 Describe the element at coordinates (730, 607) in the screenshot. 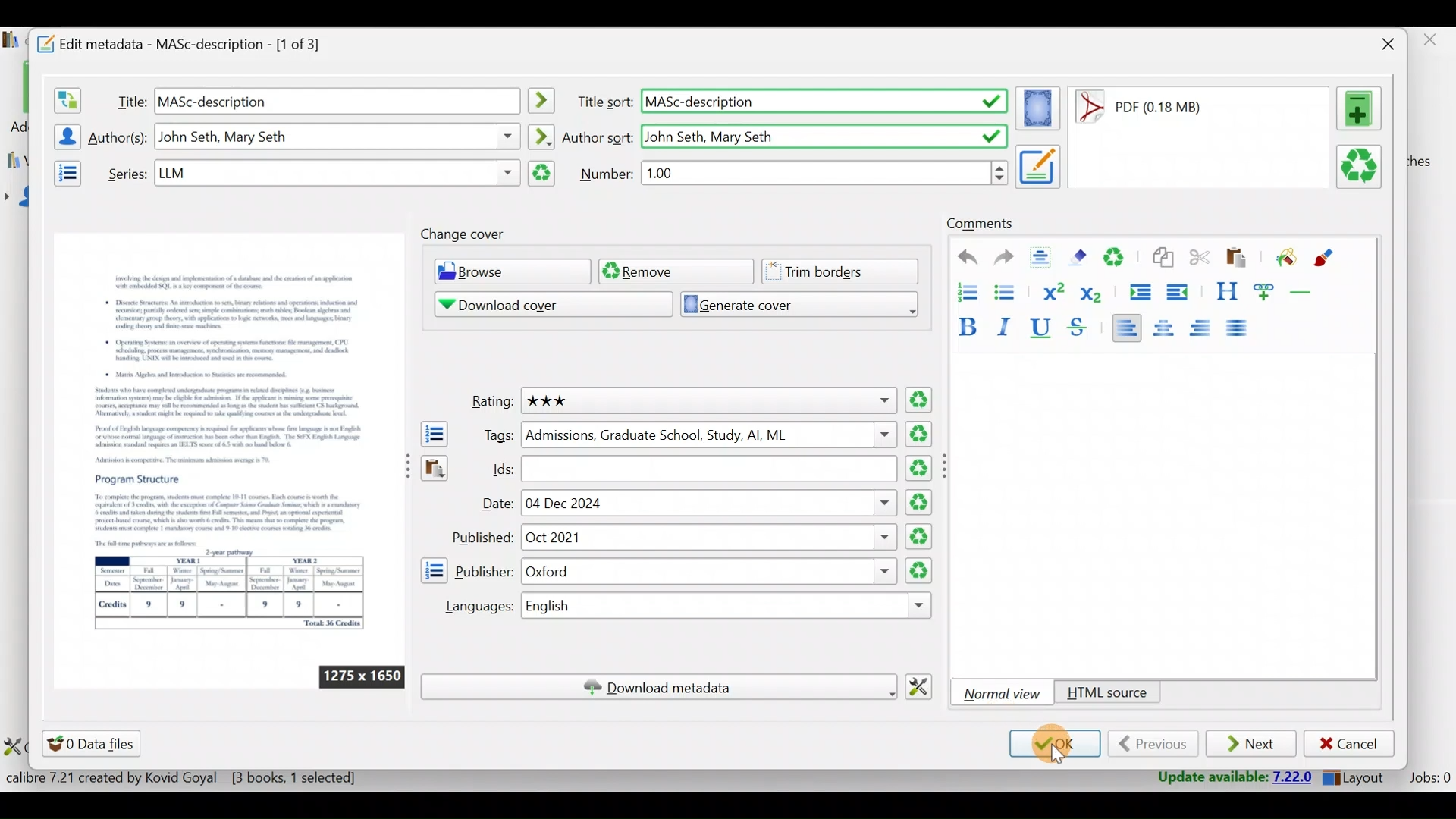

I see `` at that location.